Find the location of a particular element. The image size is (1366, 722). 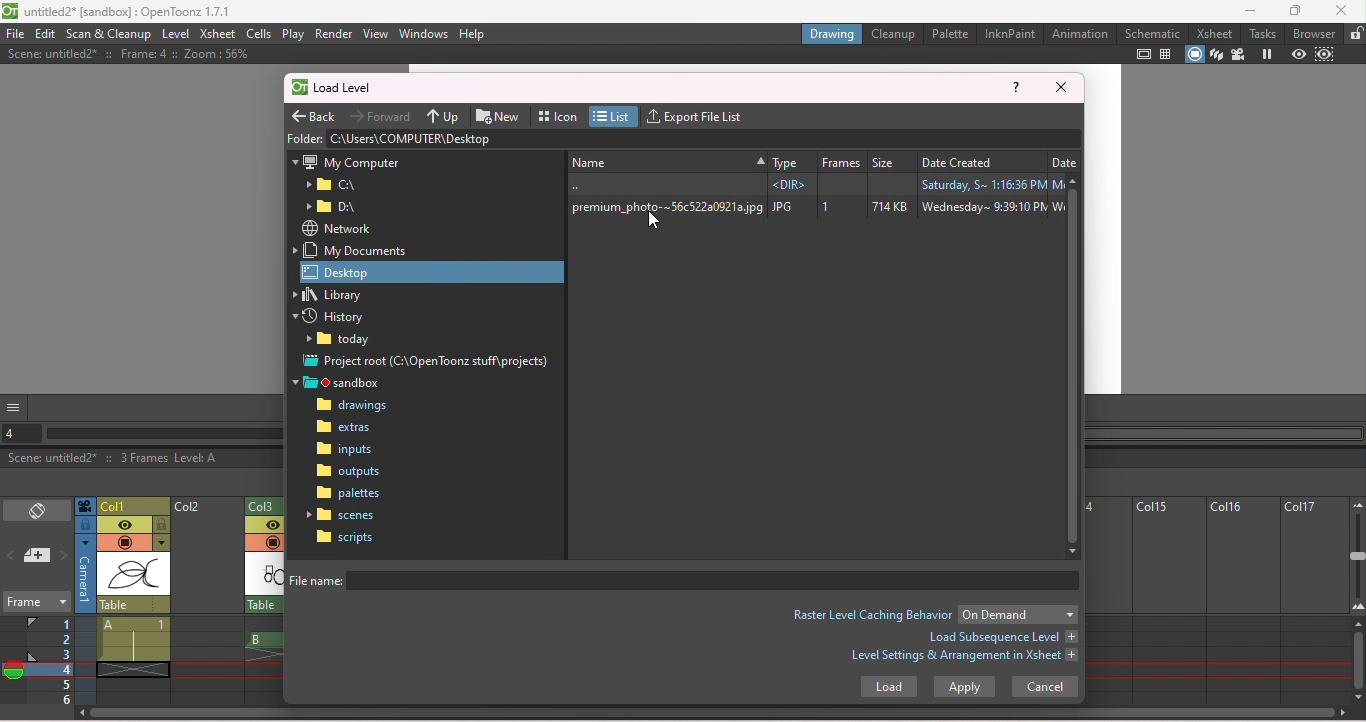

Scripts  is located at coordinates (345, 537).